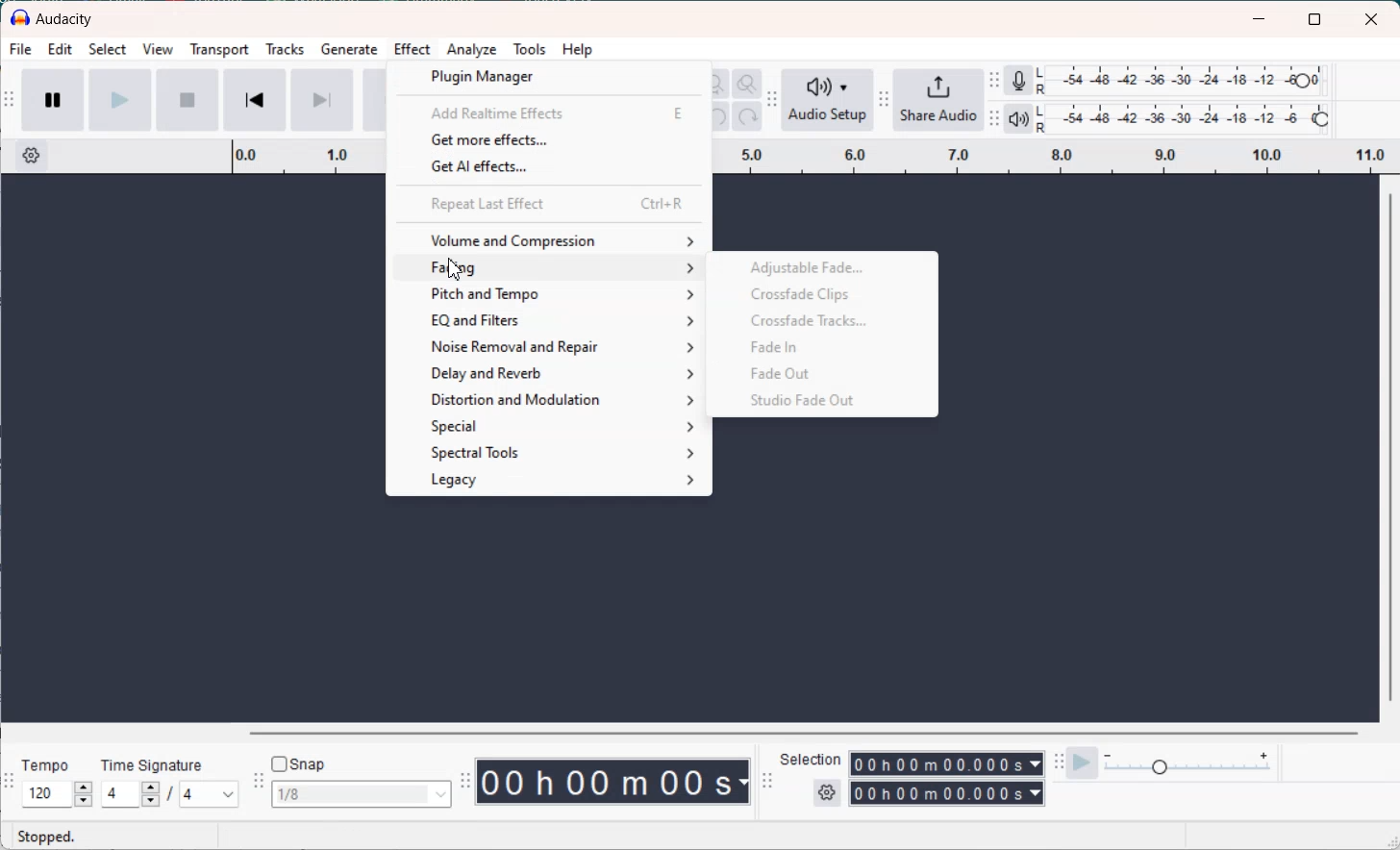 This screenshot has width=1400, height=850. What do you see at coordinates (50, 837) in the screenshot?
I see `Stopped.` at bounding box center [50, 837].